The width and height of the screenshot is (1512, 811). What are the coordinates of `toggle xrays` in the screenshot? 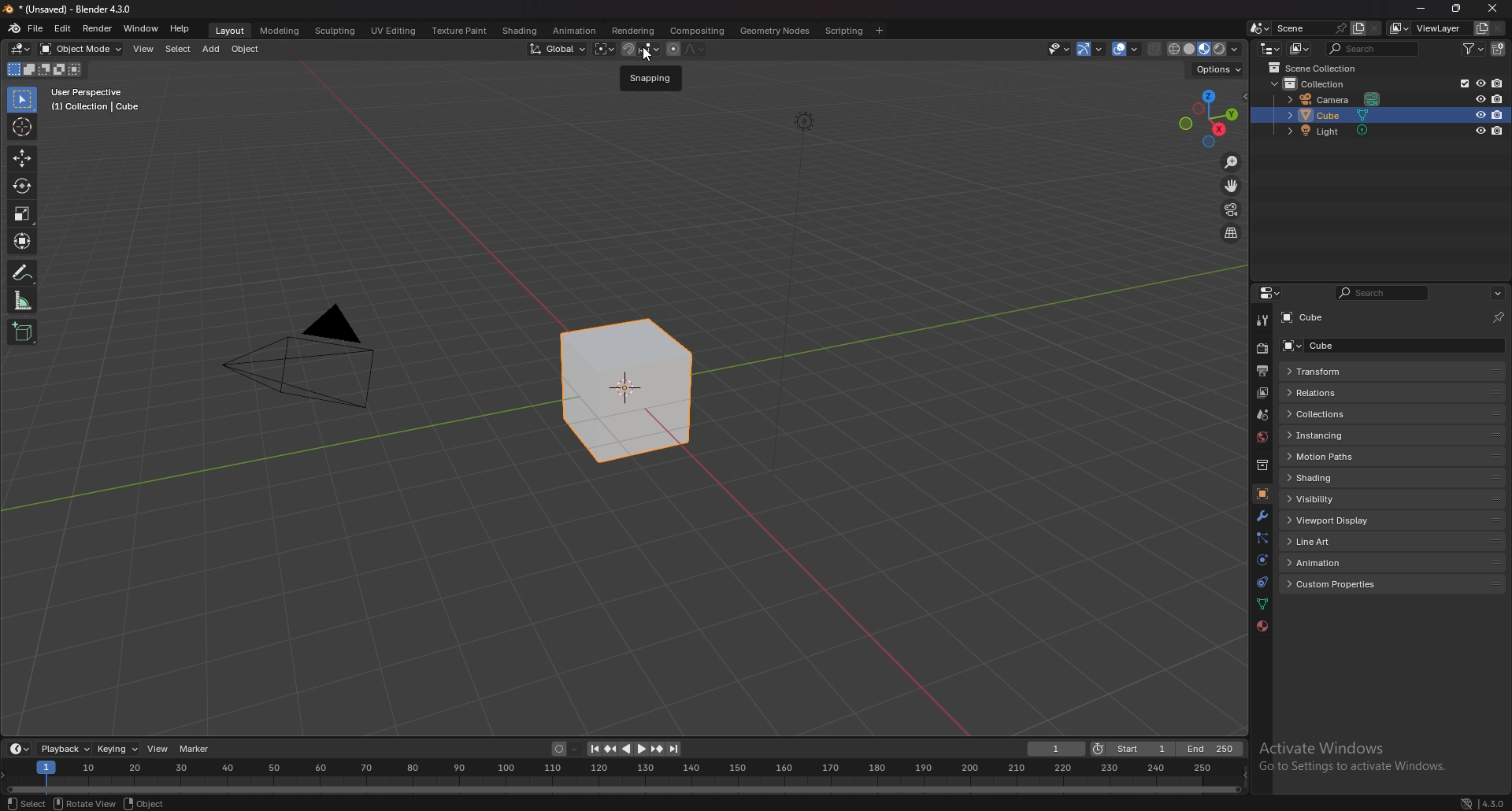 It's located at (1155, 49).